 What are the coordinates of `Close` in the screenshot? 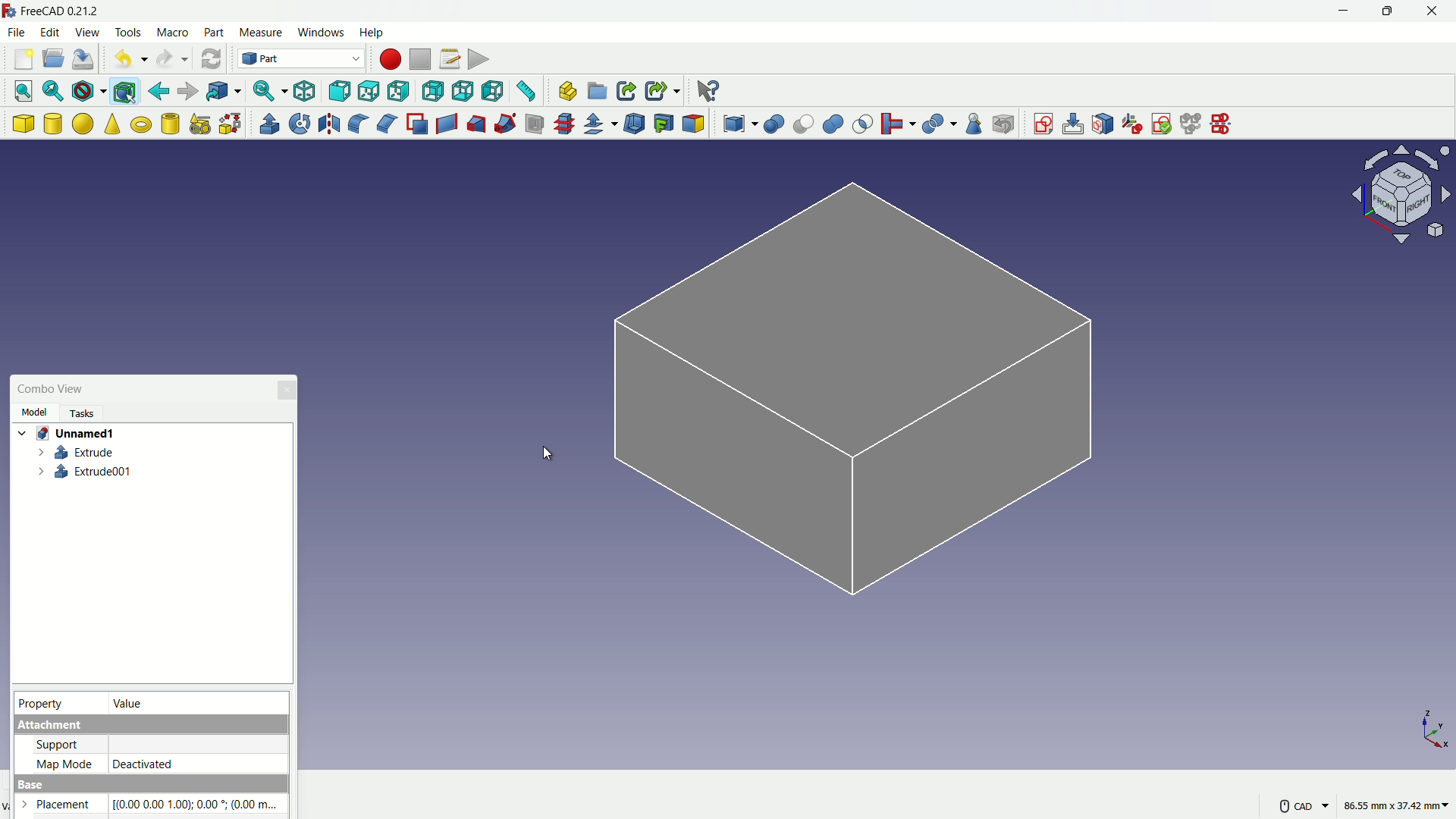 It's located at (287, 391).